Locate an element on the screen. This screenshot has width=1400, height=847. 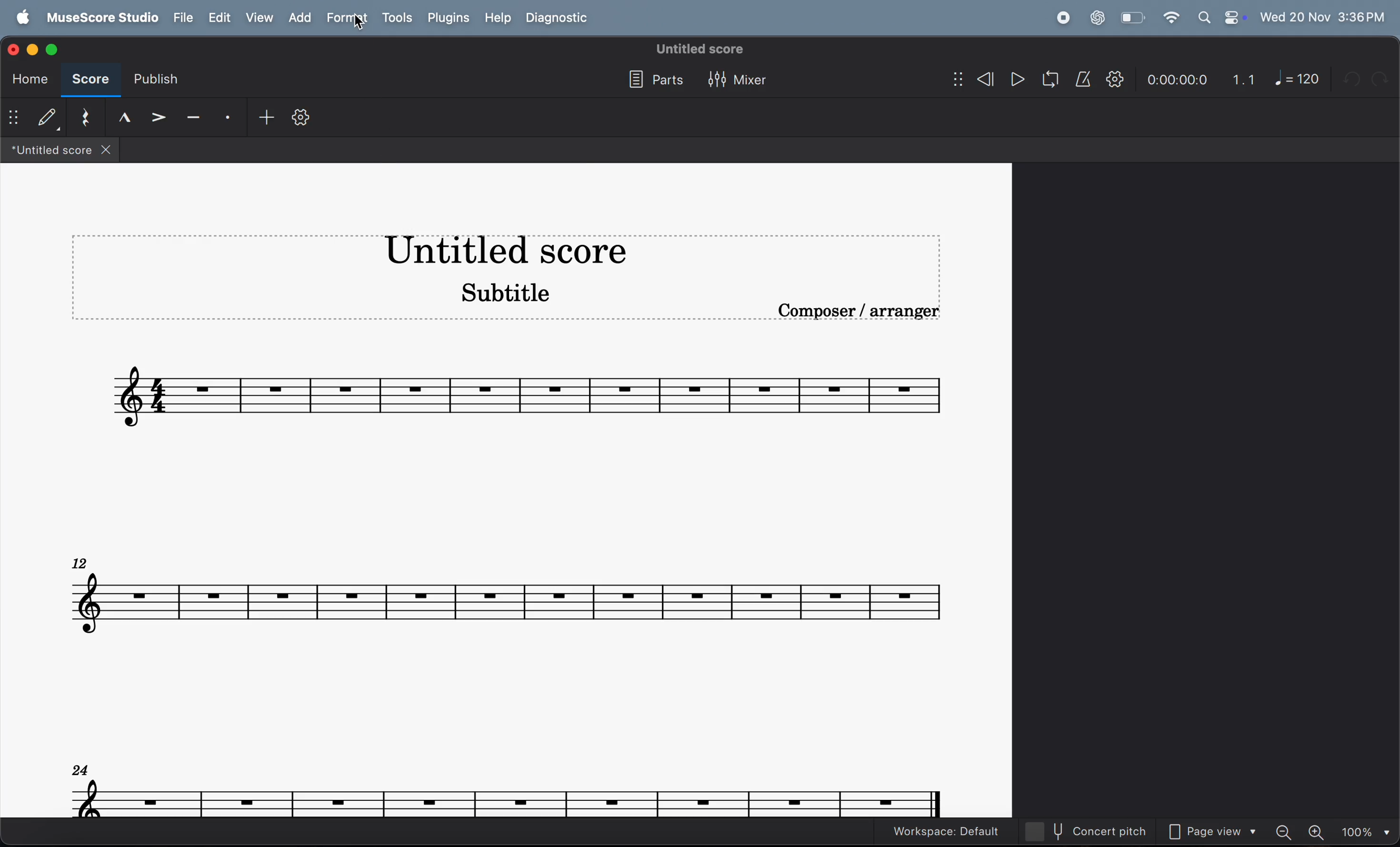
wifi is located at coordinates (1170, 18).